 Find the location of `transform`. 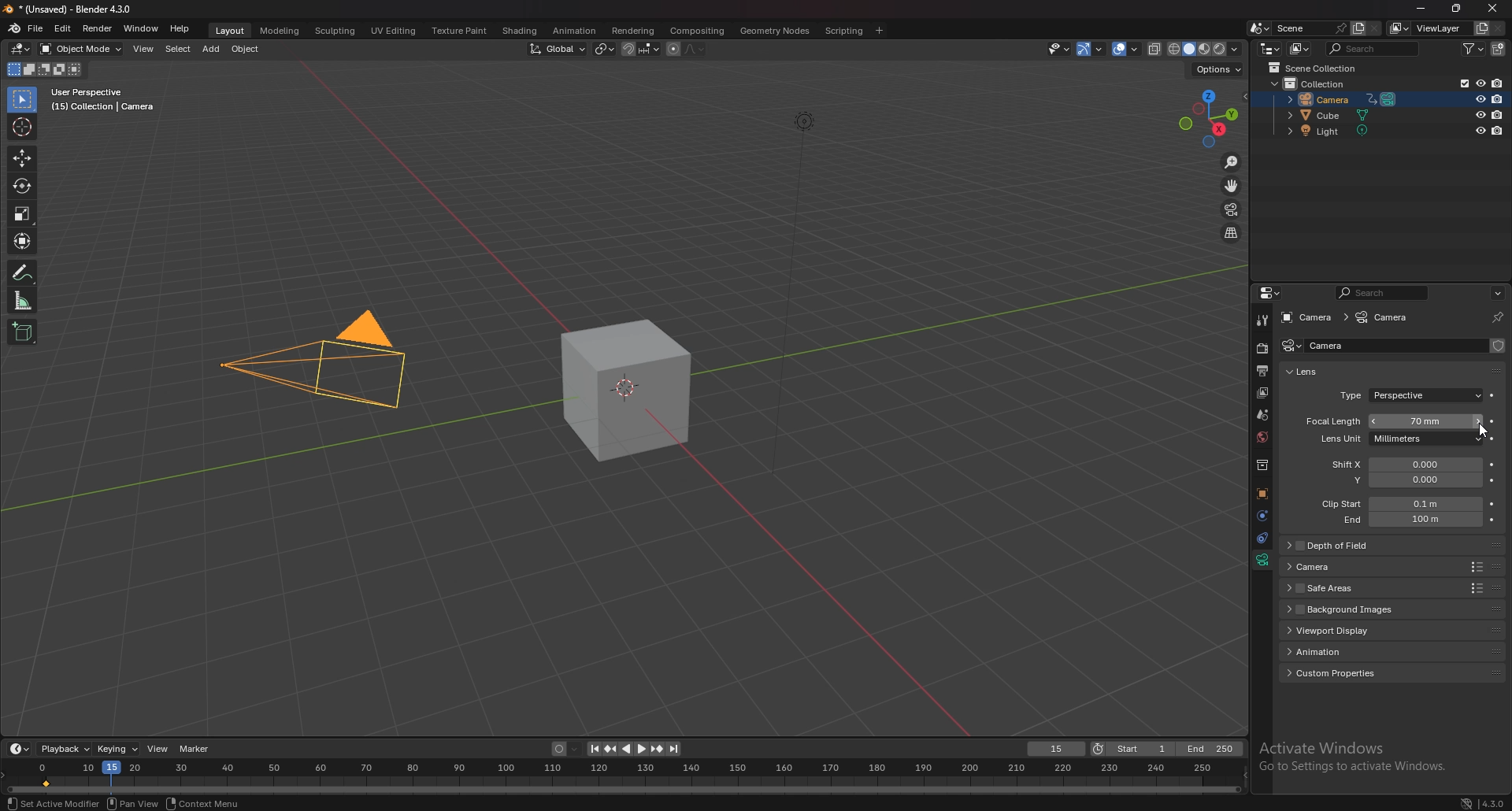

transform is located at coordinates (21, 239).